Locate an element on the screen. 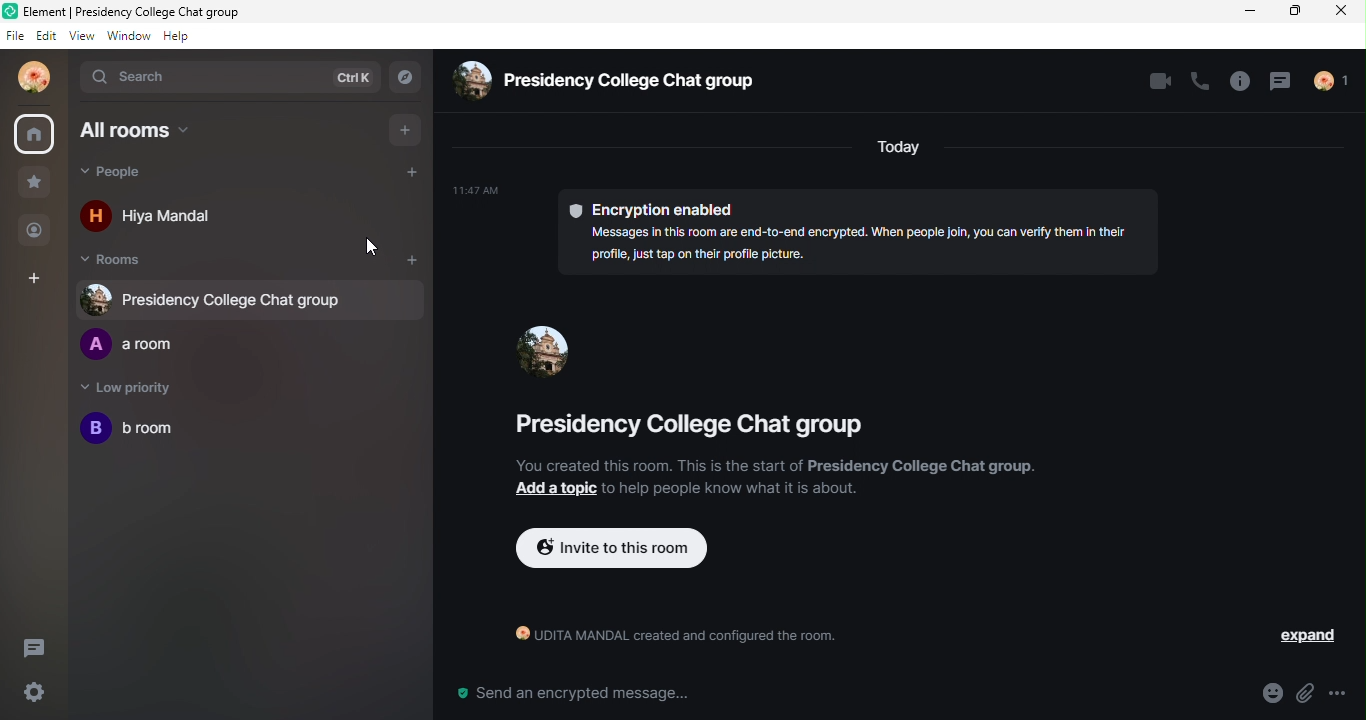  cursor movement is located at coordinates (370, 249).